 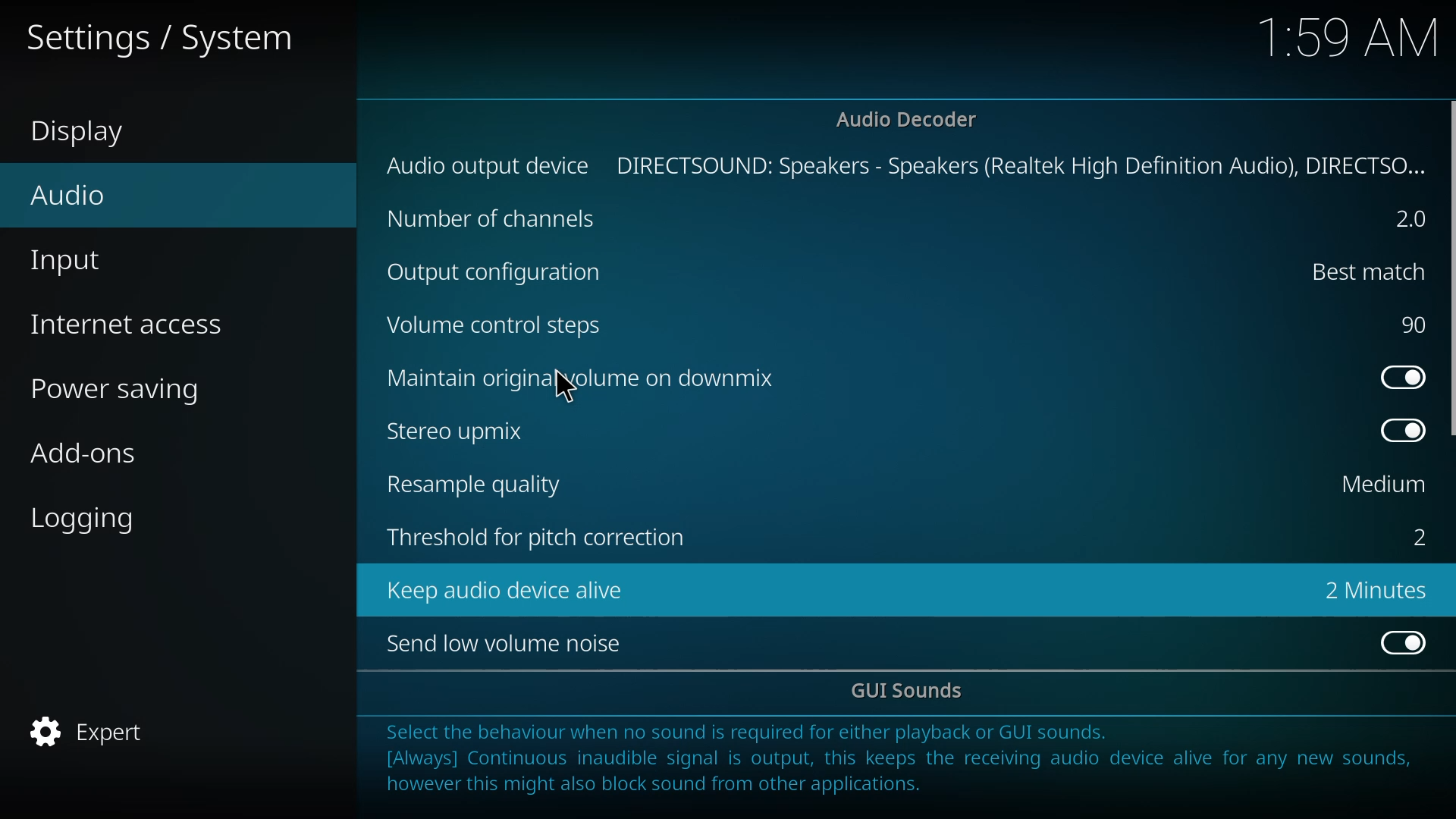 What do you see at coordinates (171, 36) in the screenshot?
I see `settings system` at bounding box center [171, 36].